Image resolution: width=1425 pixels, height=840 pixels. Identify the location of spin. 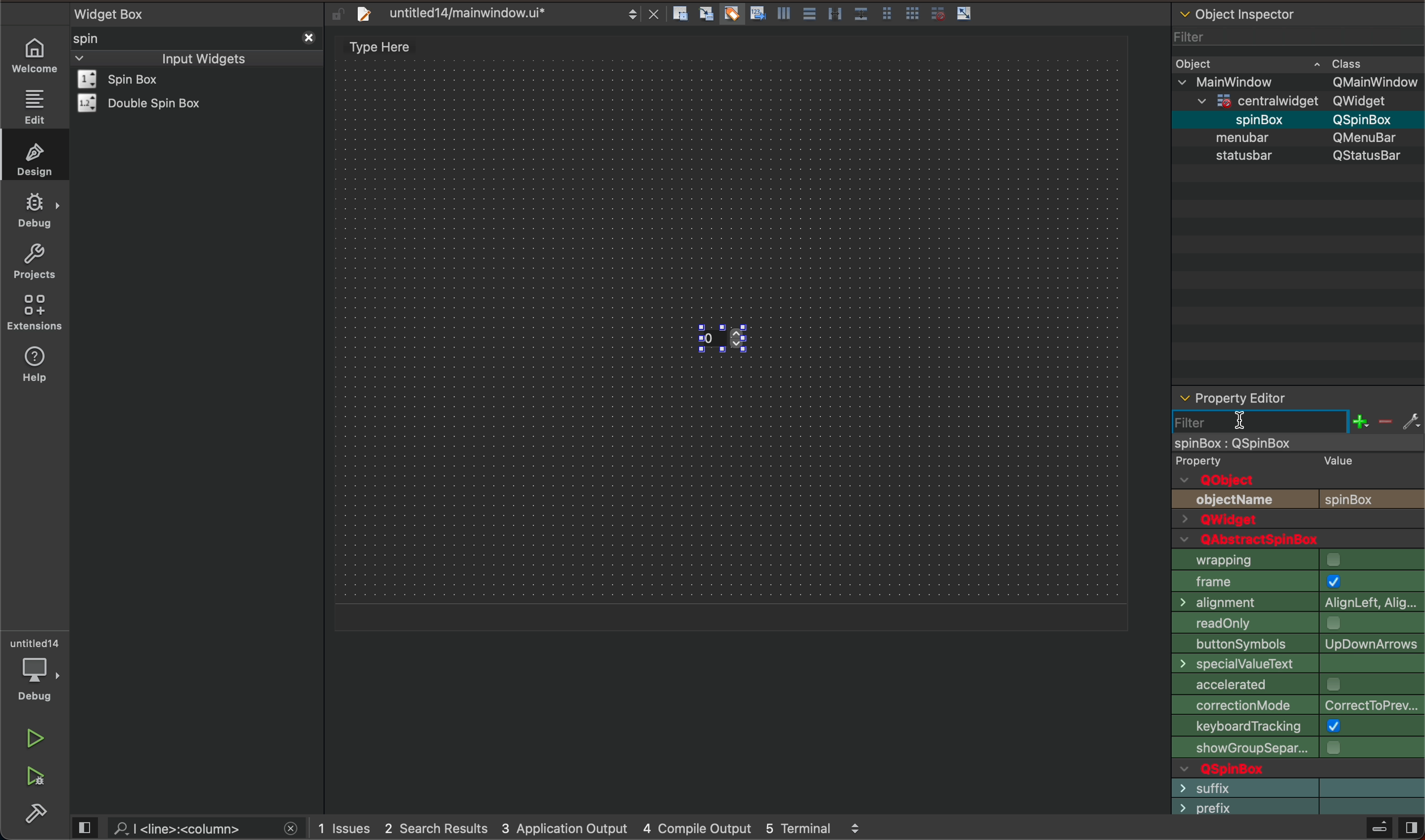
(105, 38).